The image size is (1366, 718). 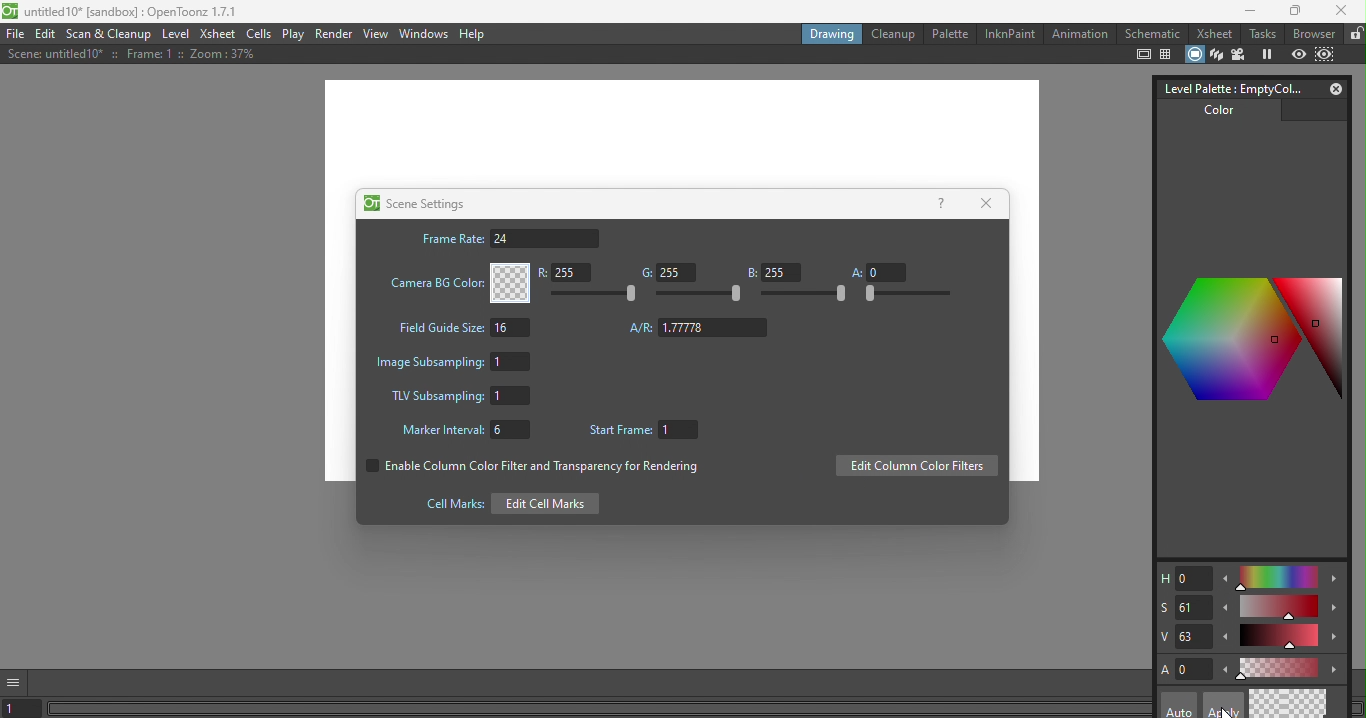 I want to click on workspace, so click(x=681, y=134).